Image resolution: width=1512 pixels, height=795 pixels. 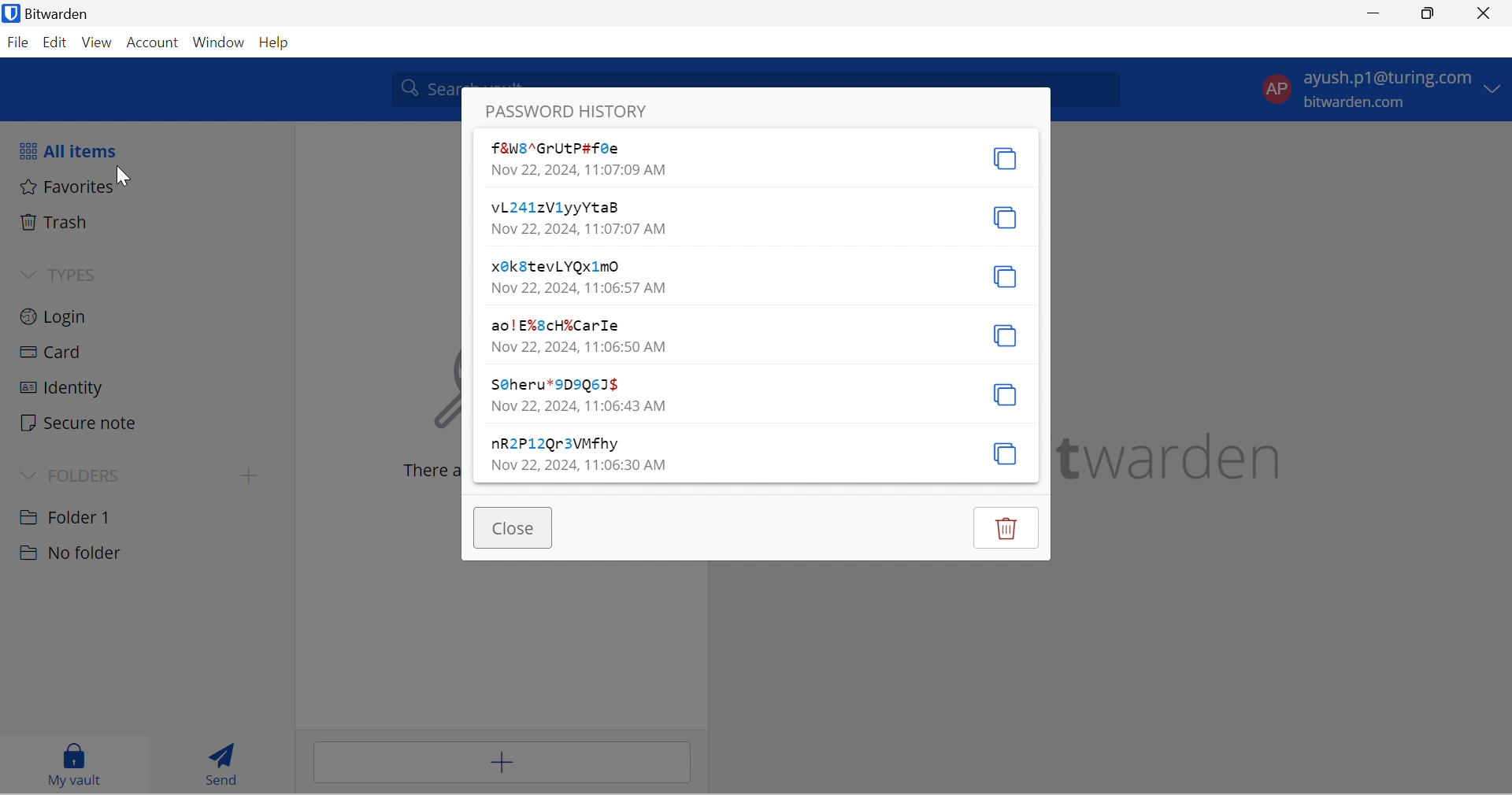 I want to click on Trash, so click(x=60, y=221).